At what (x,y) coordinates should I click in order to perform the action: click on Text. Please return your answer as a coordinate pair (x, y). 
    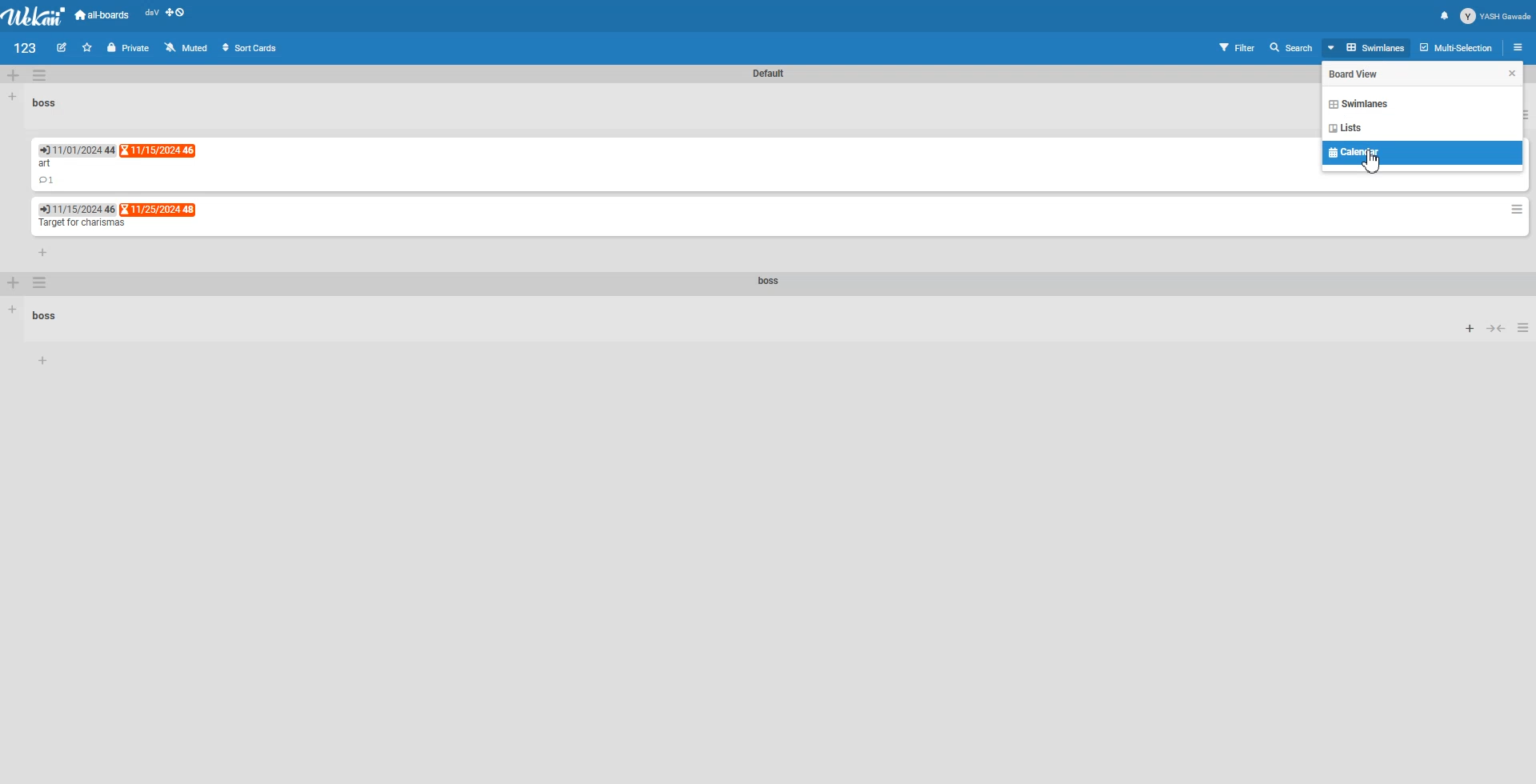
    Looking at the image, I should click on (769, 73).